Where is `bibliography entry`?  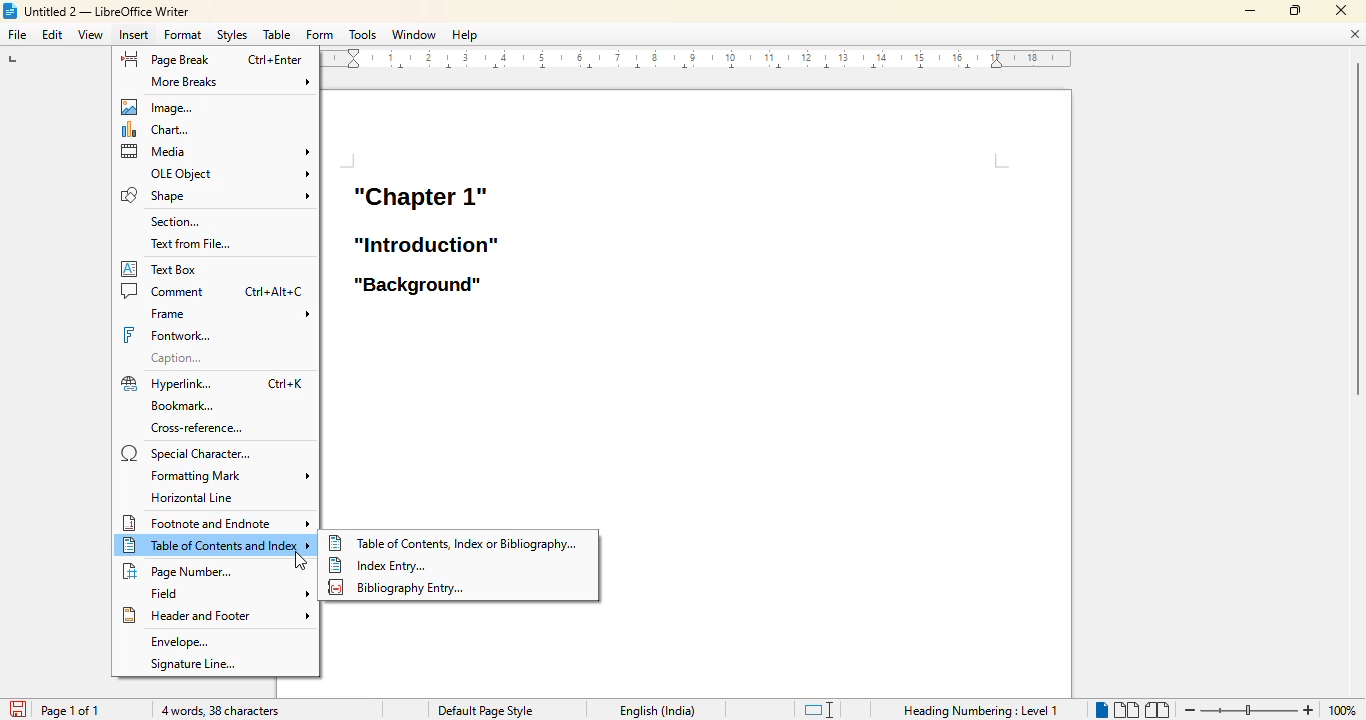 bibliography entry is located at coordinates (397, 588).